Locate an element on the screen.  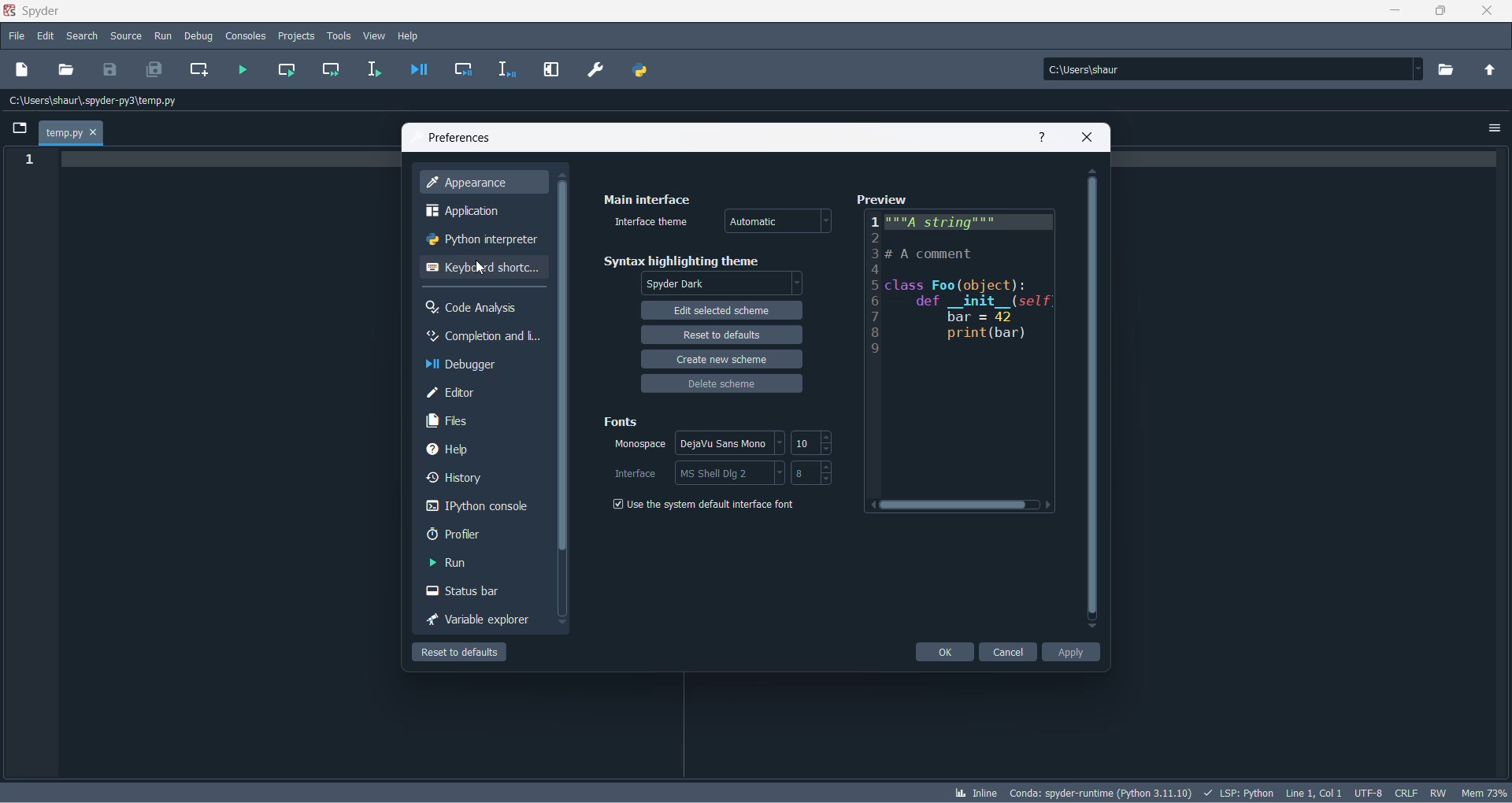
fonts size  is located at coordinates (804, 444).